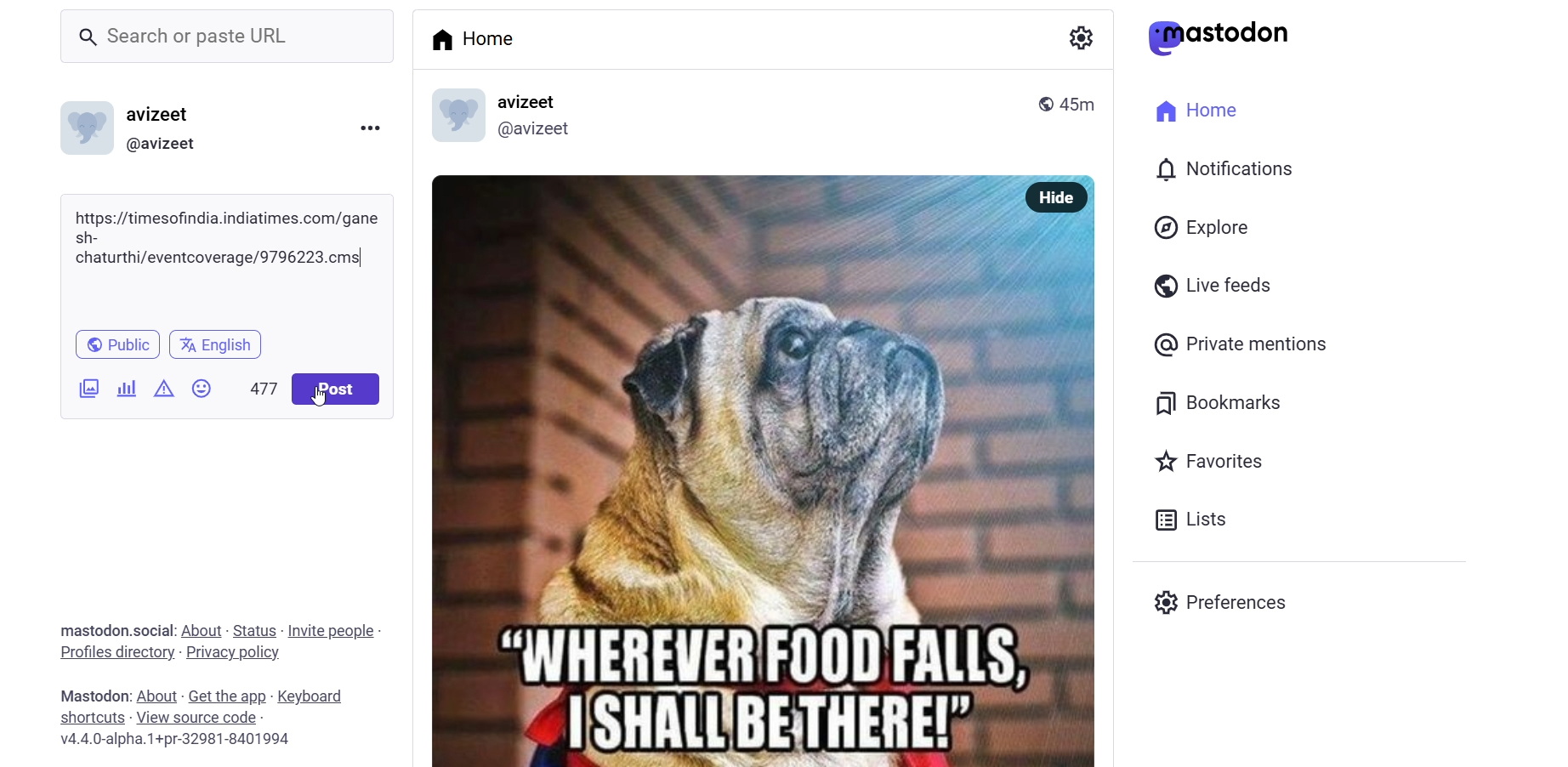 The width and height of the screenshot is (1568, 767). I want to click on Post, so click(338, 389).